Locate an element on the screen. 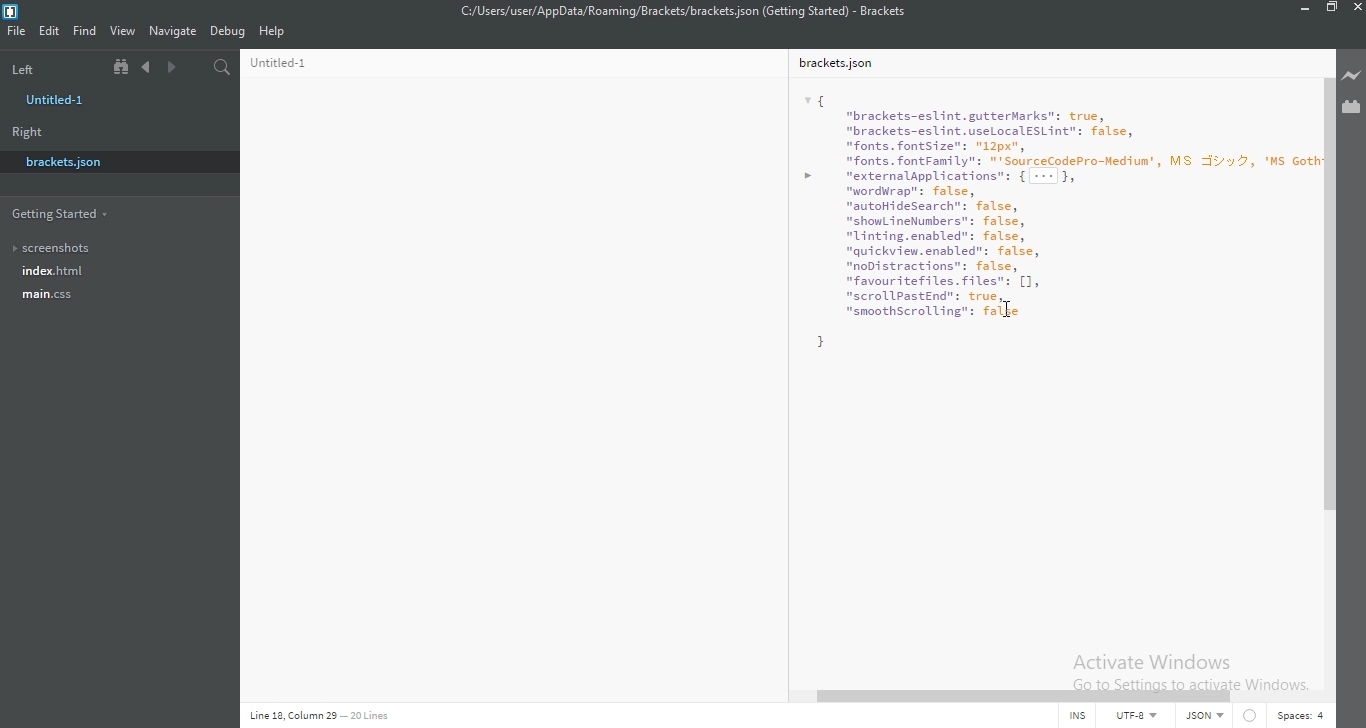  Edit is located at coordinates (52, 30).